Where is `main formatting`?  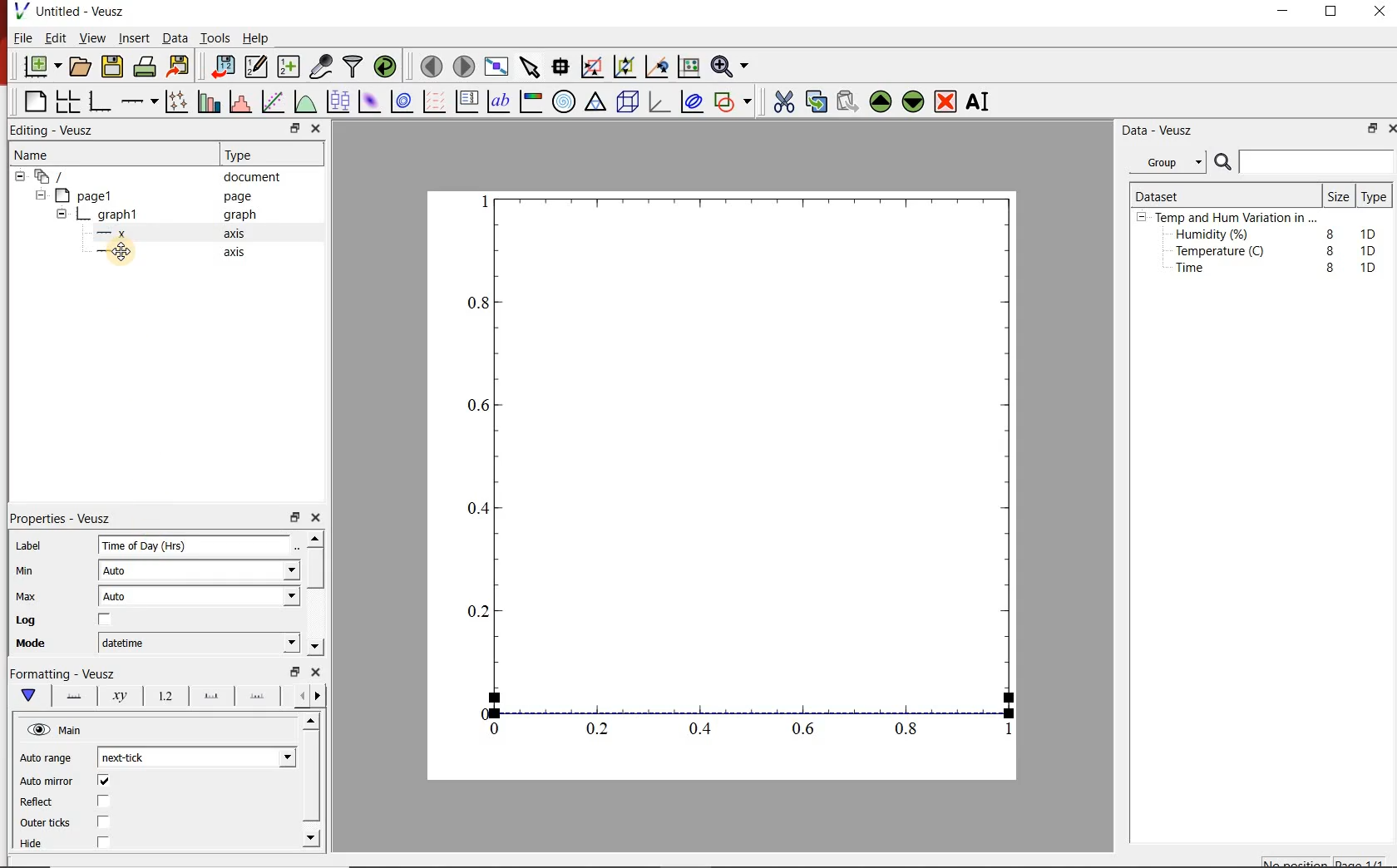
main formatting is located at coordinates (30, 697).